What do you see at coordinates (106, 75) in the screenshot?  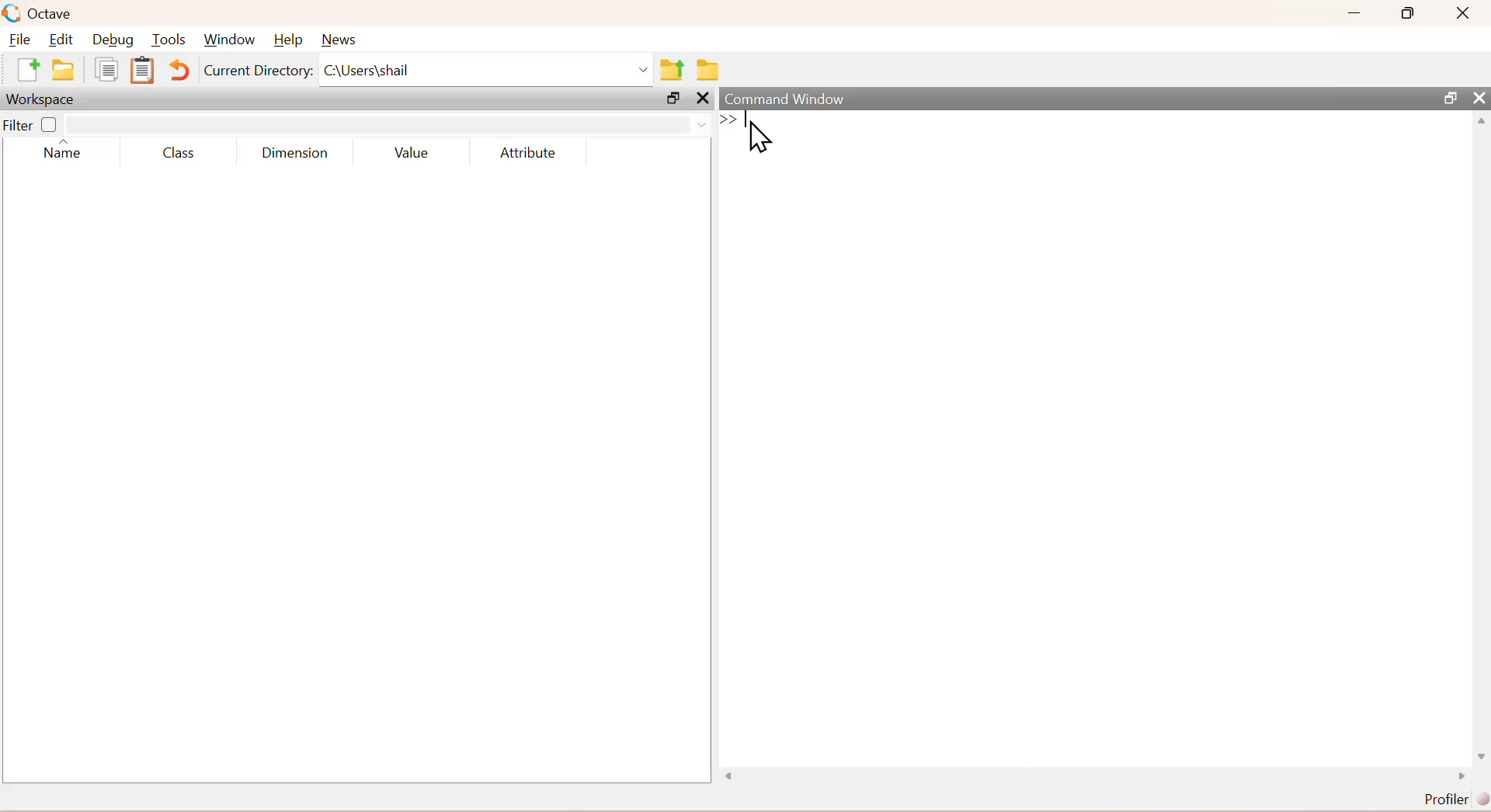 I see `Copy` at bounding box center [106, 75].